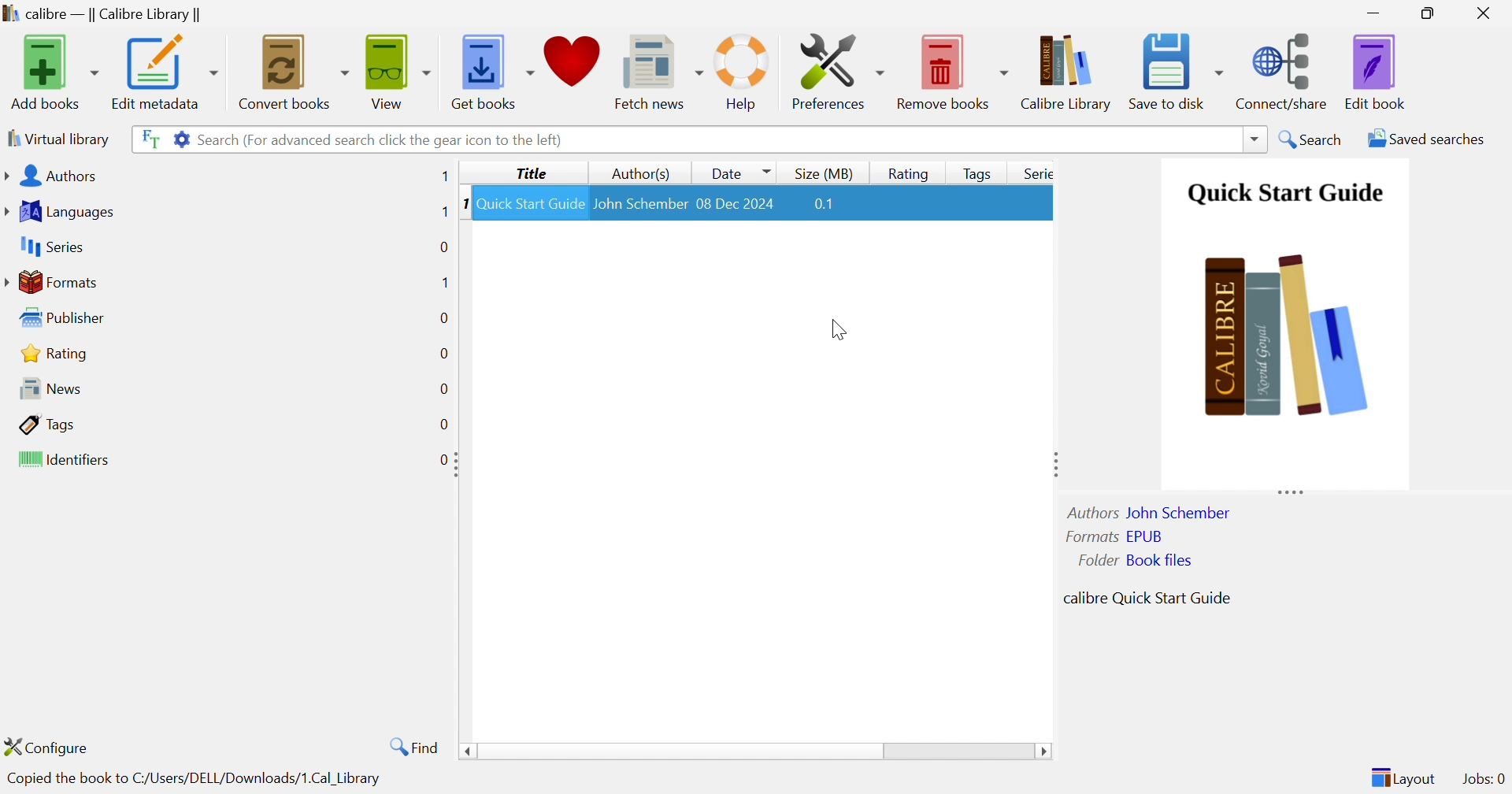 This screenshot has height=794, width=1512. Describe the element at coordinates (442, 388) in the screenshot. I see `0` at that location.